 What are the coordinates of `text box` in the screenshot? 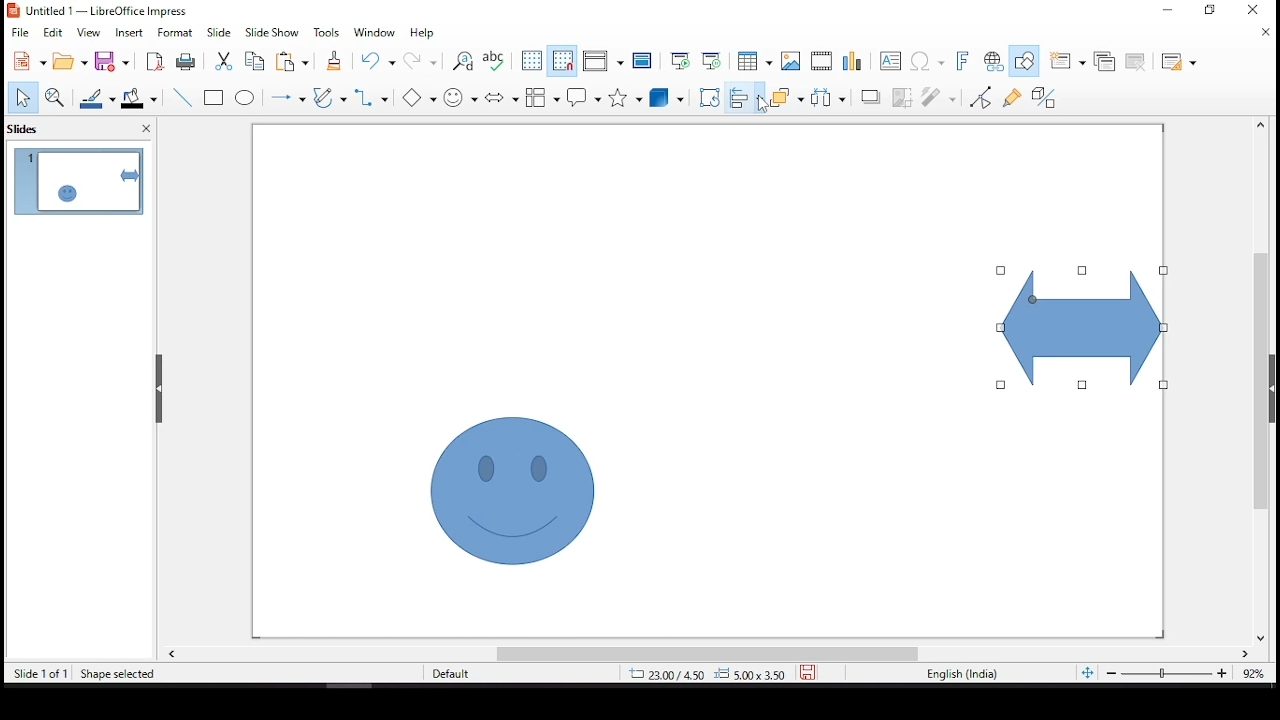 It's located at (893, 63).